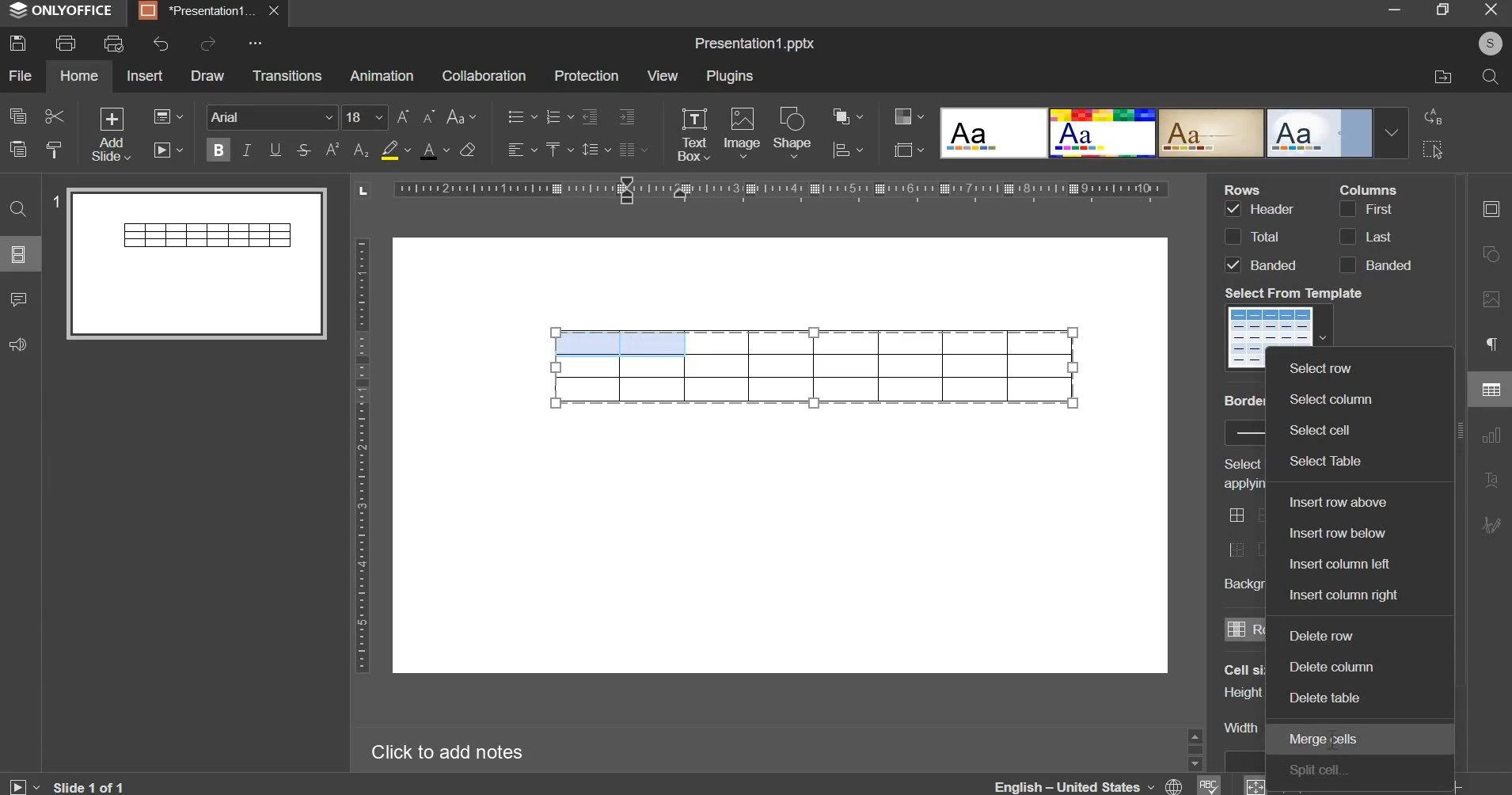 The height and width of the screenshot is (795, 1512). I want to click on insert row above, so click(1337, 503).